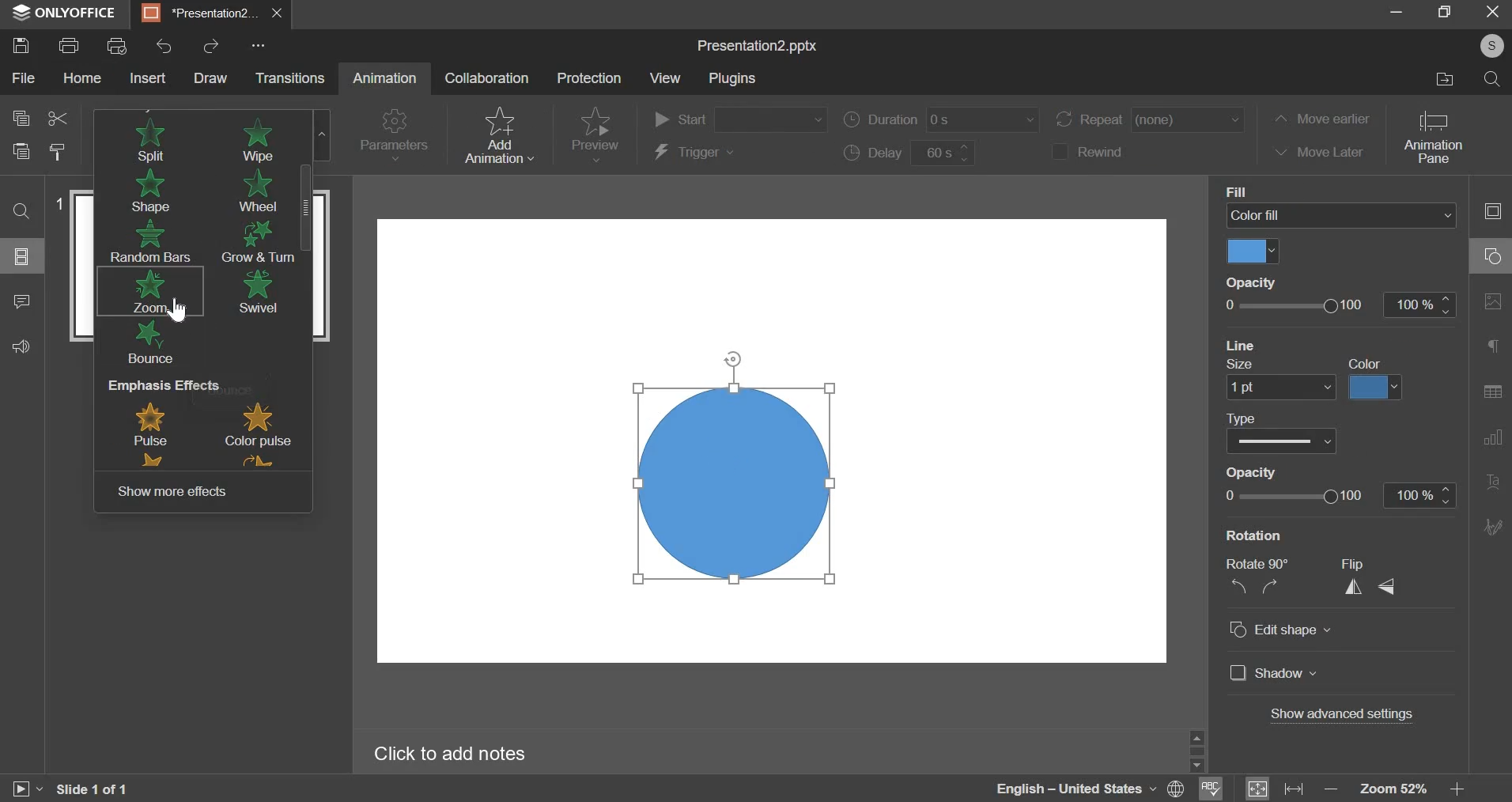 The width and height of the screenshot is (1512, 802). What do you see at coordinates (1392, 789) in the screenshot?
I see `zoom` at bounding box center [1392, 789].